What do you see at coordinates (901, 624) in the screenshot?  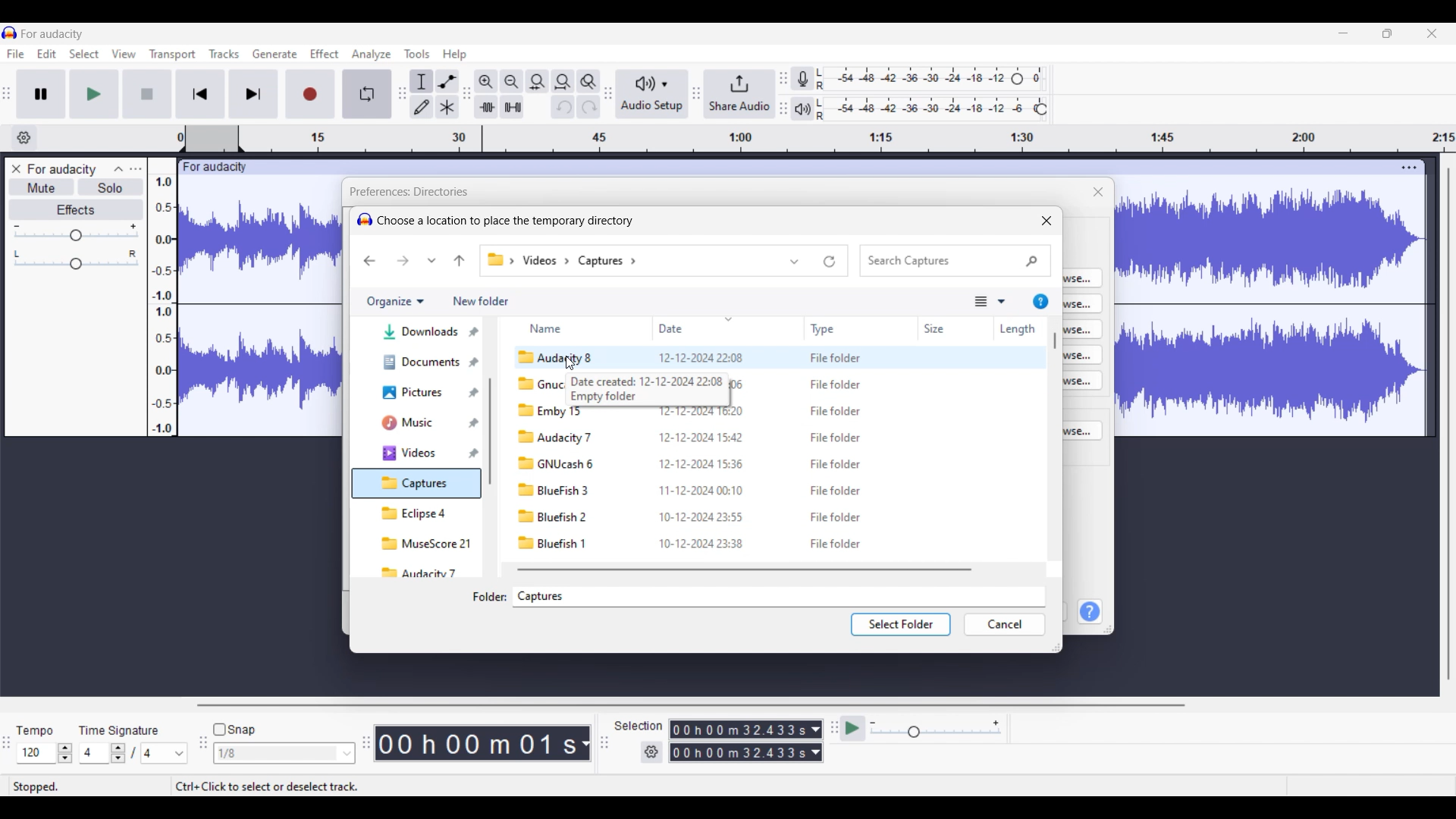 I see `Select folder` at bounding box center [901, 624].